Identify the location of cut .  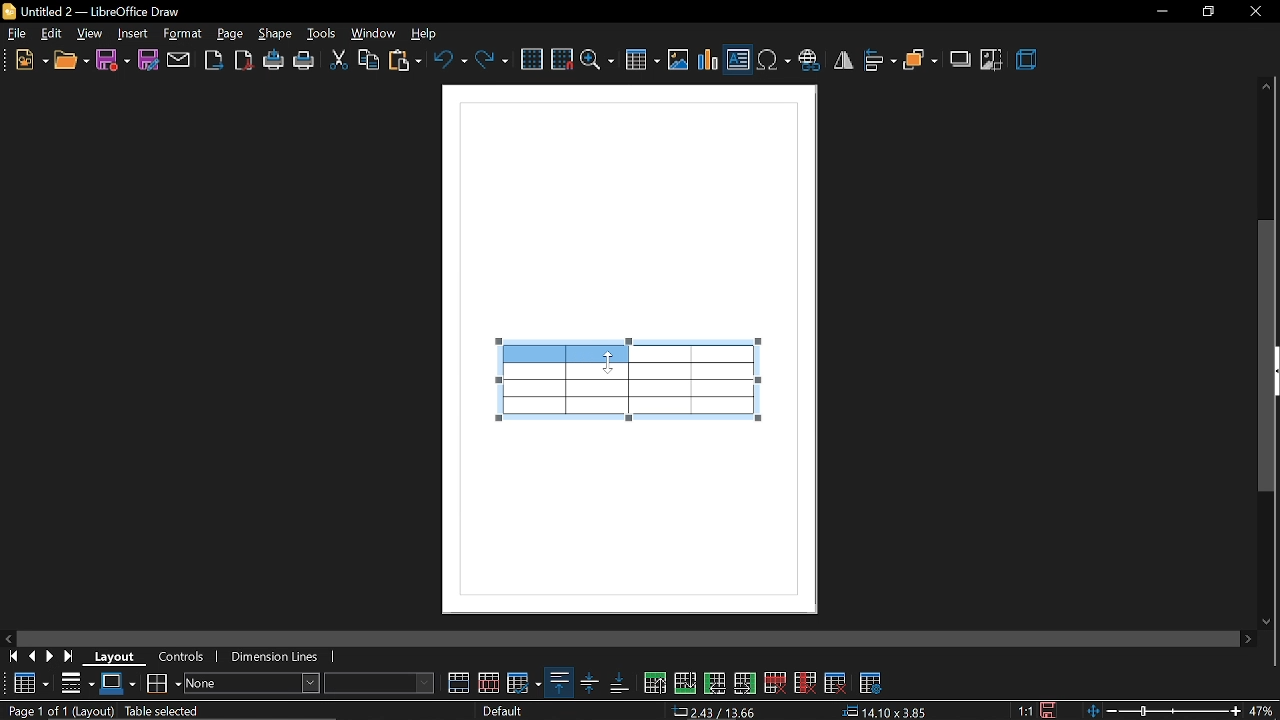
(340, 61).